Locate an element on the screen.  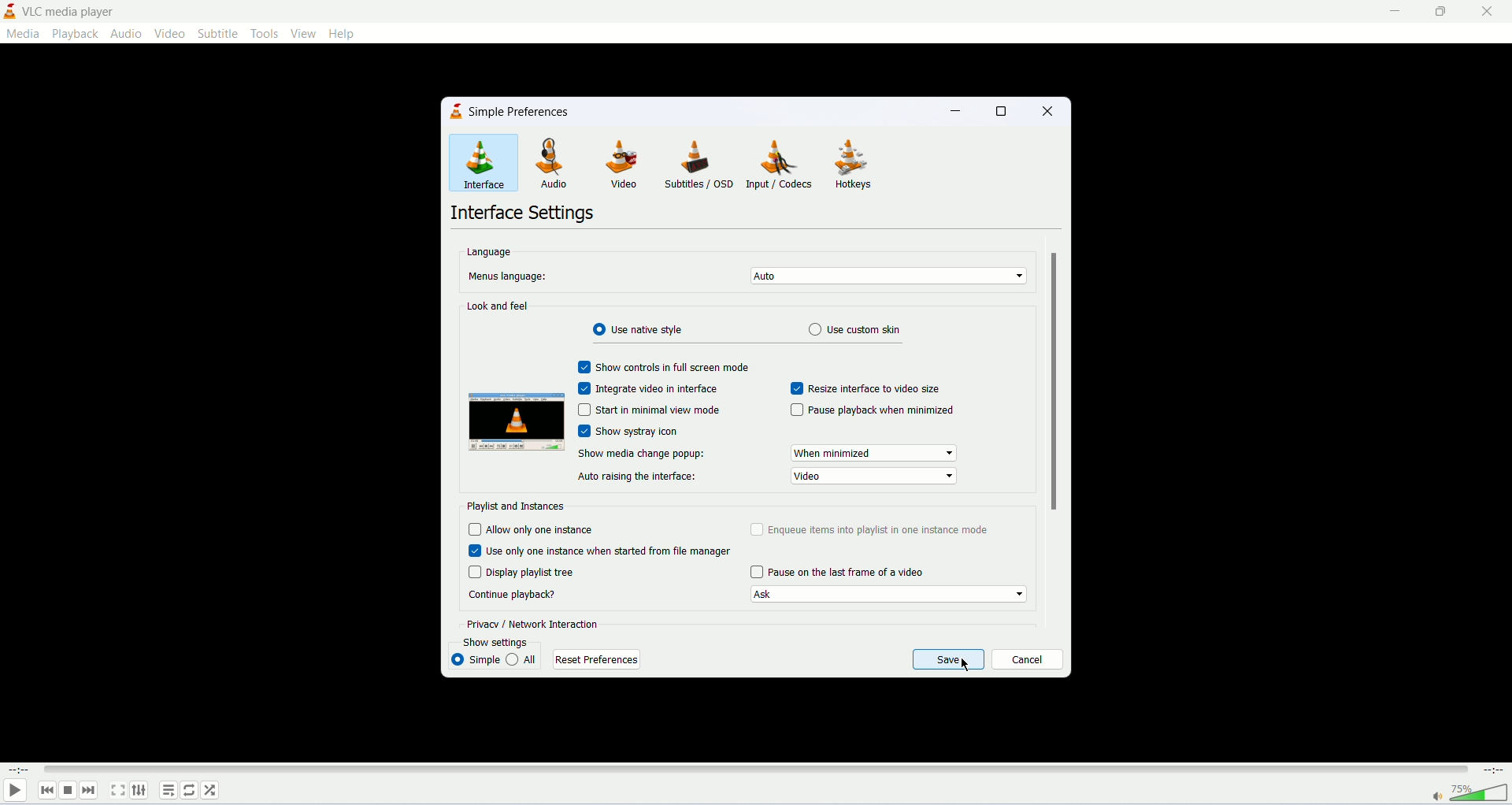
maximize is located at coordinates (995, 109).